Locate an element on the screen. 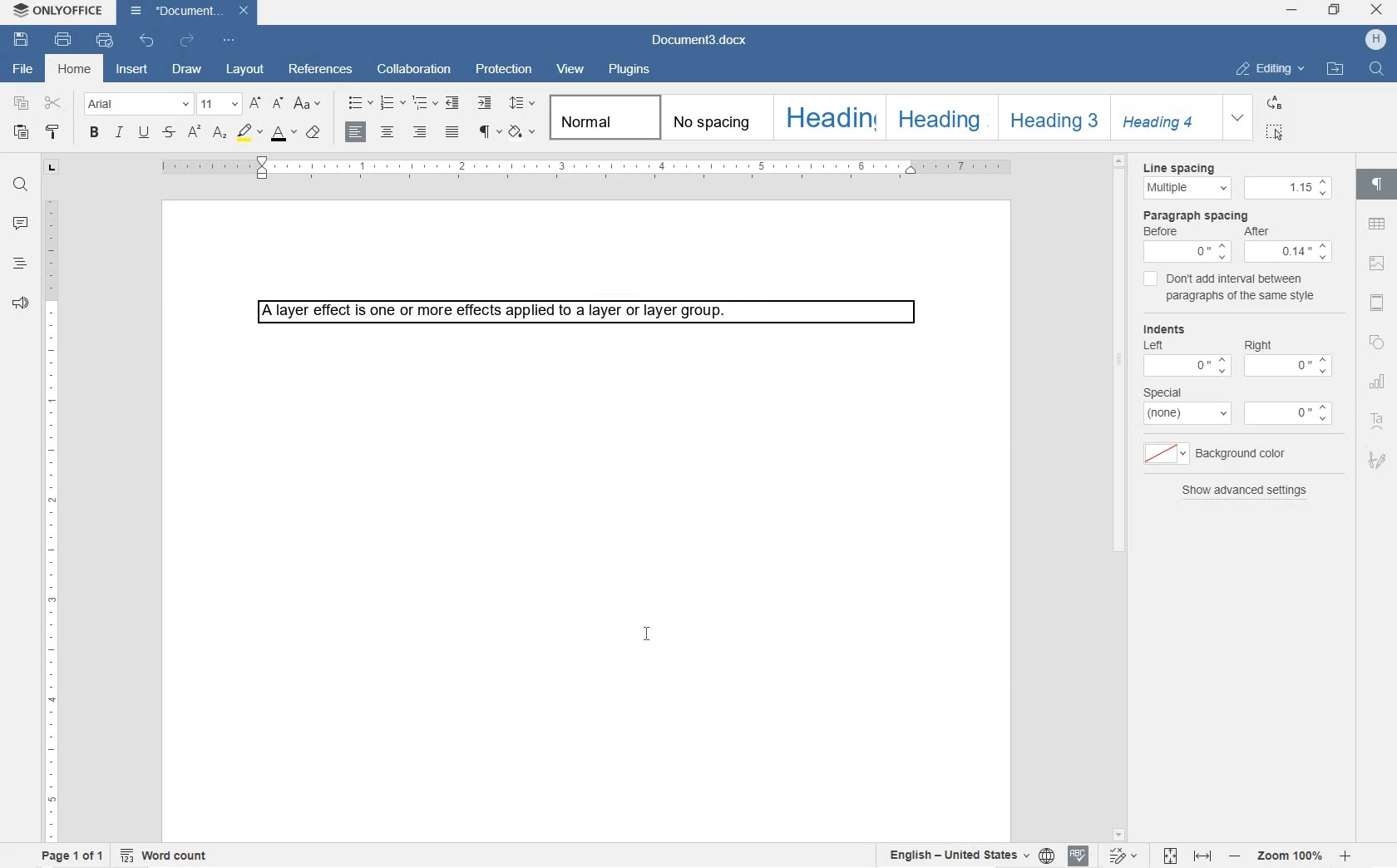 This screenshot has height=868, width=1397. HEADING 3 is located at coordinates (1051, 118).